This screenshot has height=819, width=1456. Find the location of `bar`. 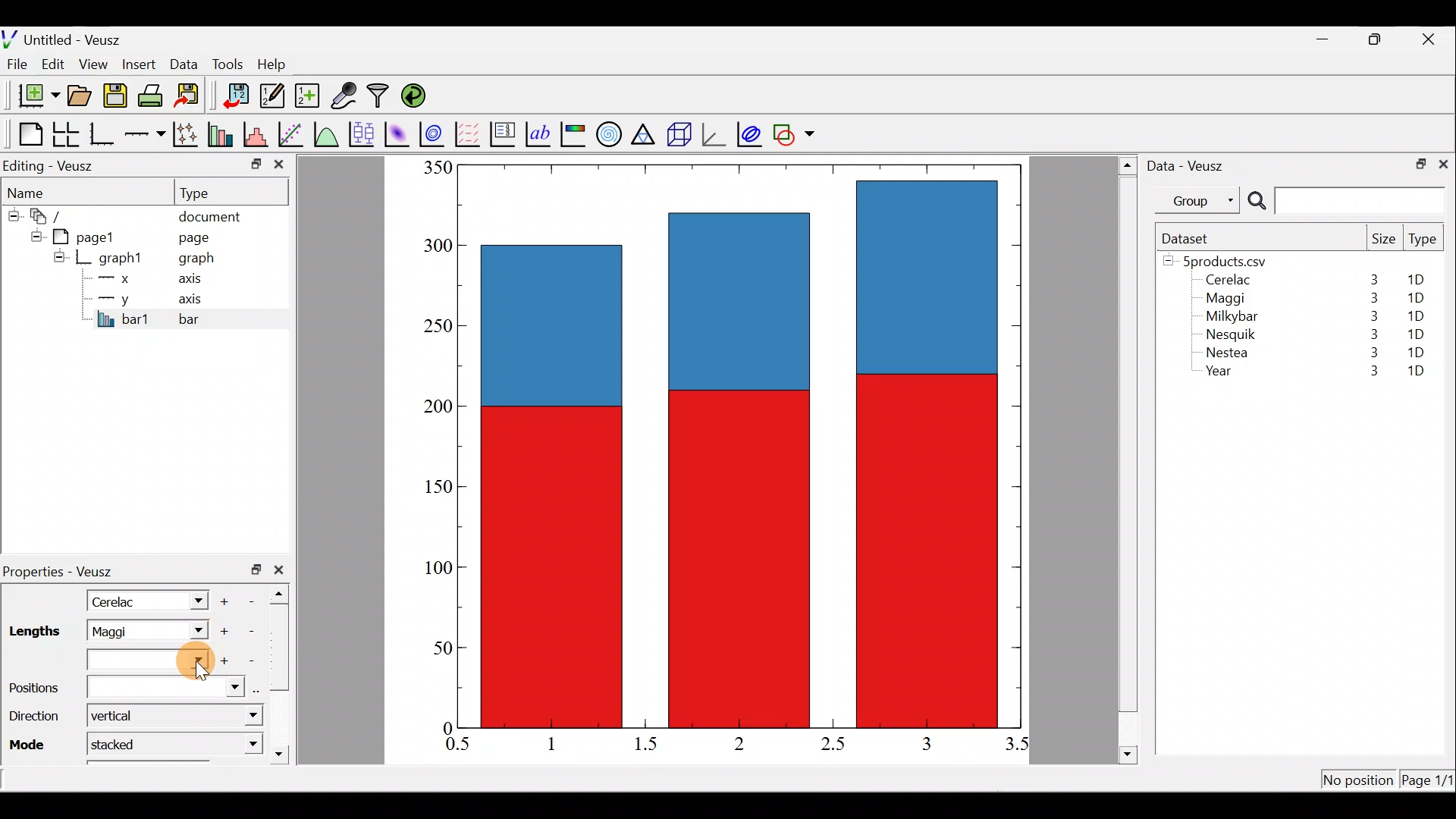

bar is located at coordinates (214, 318).